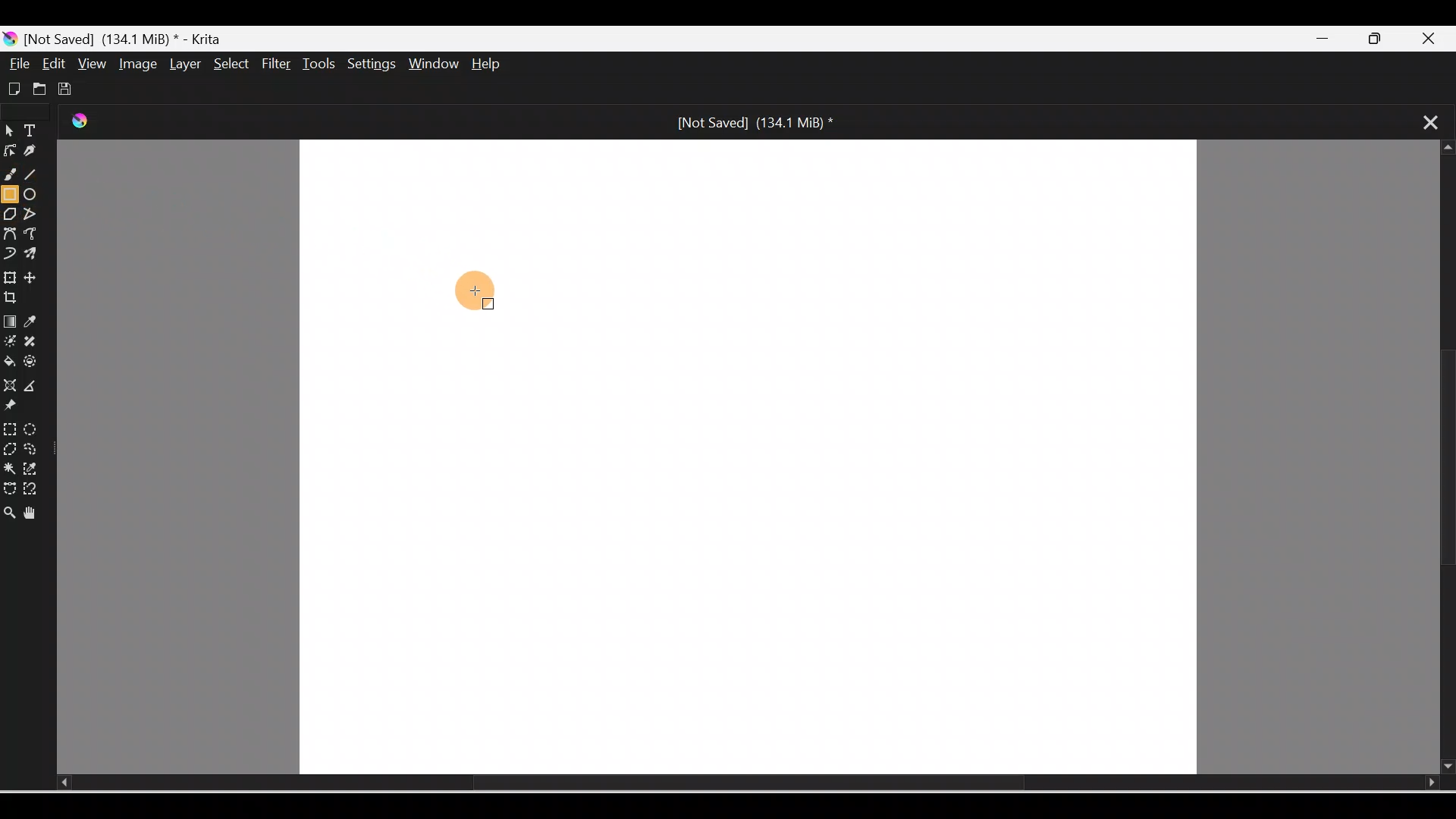 The width and height of the screenshot is (1456, 819). I want to click on Text tool, so click(33, 132).